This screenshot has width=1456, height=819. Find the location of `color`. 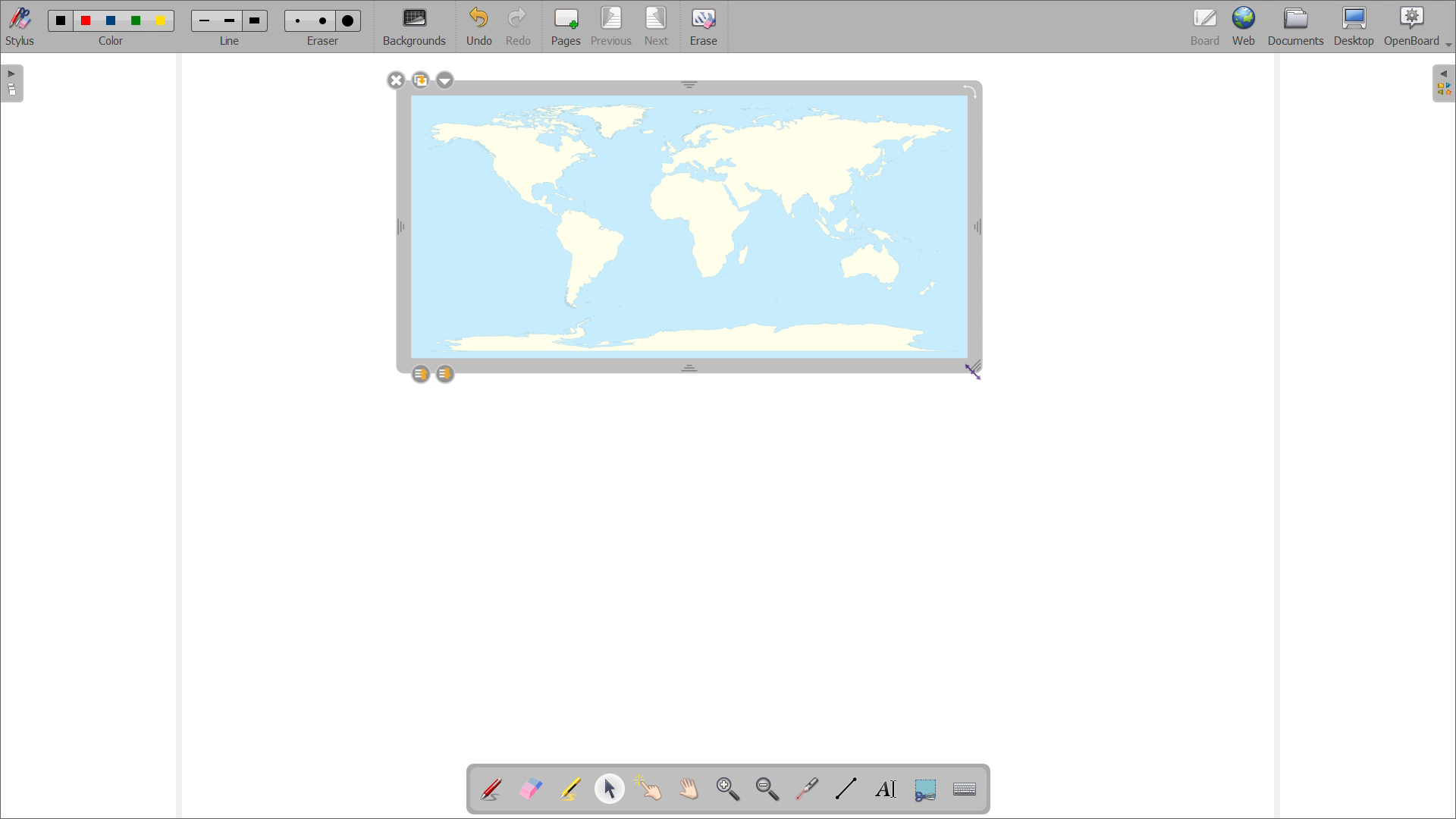

color is located at coordinates (114, 41).